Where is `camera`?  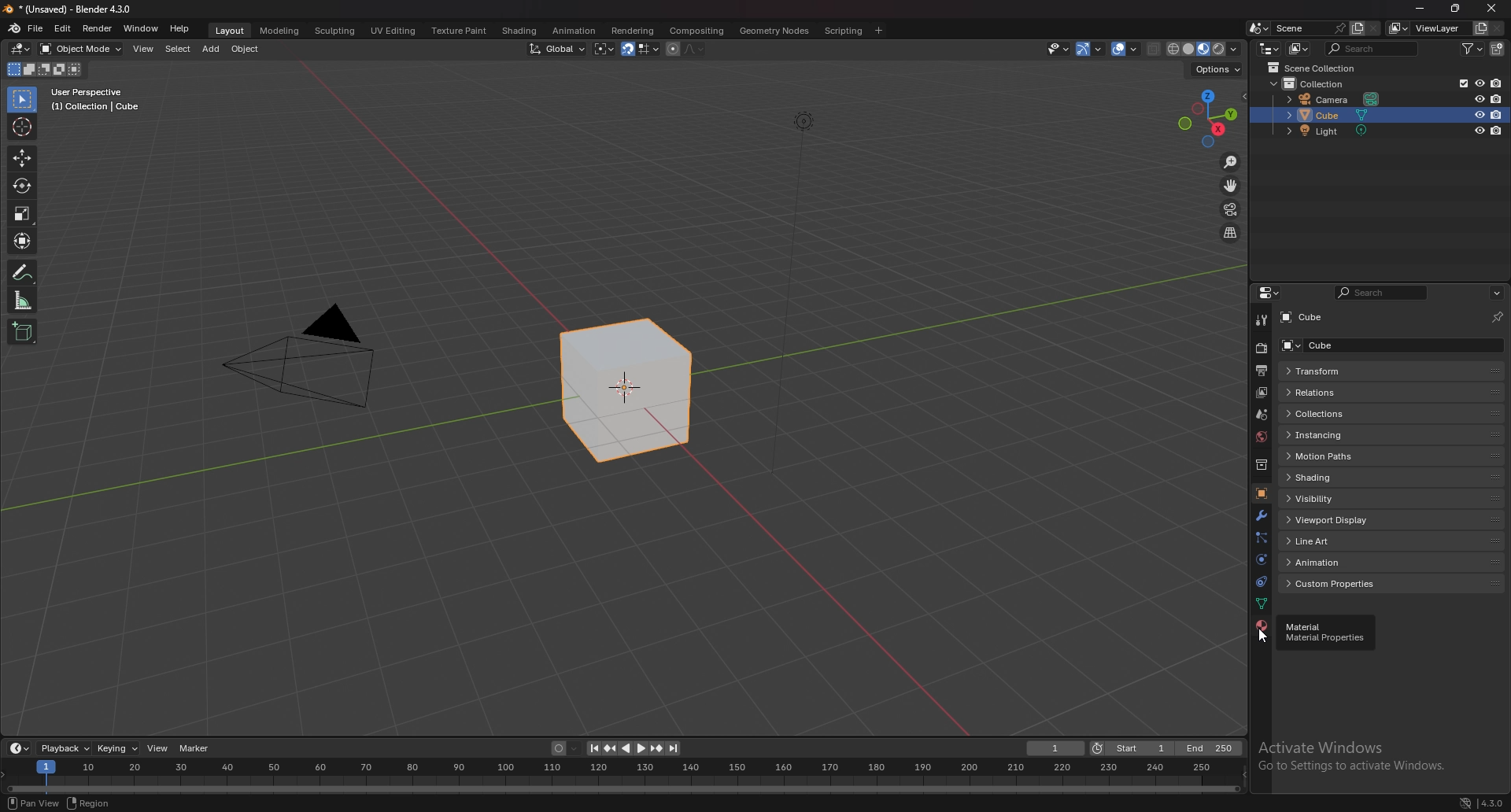
camera is located at coordinates (1336, 100).